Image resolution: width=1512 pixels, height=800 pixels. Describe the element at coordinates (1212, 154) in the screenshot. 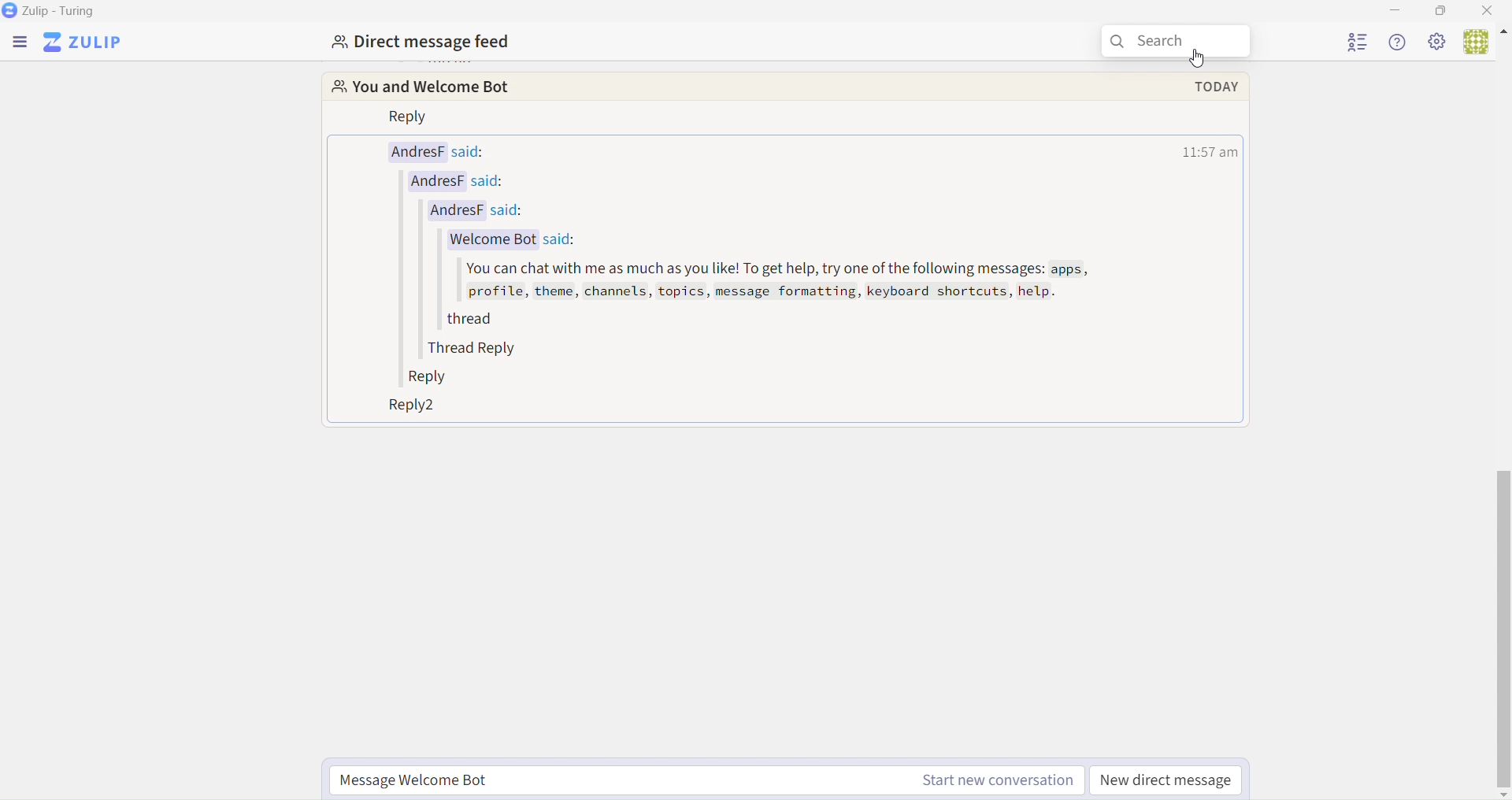

I see `11:57 am |` at that location.